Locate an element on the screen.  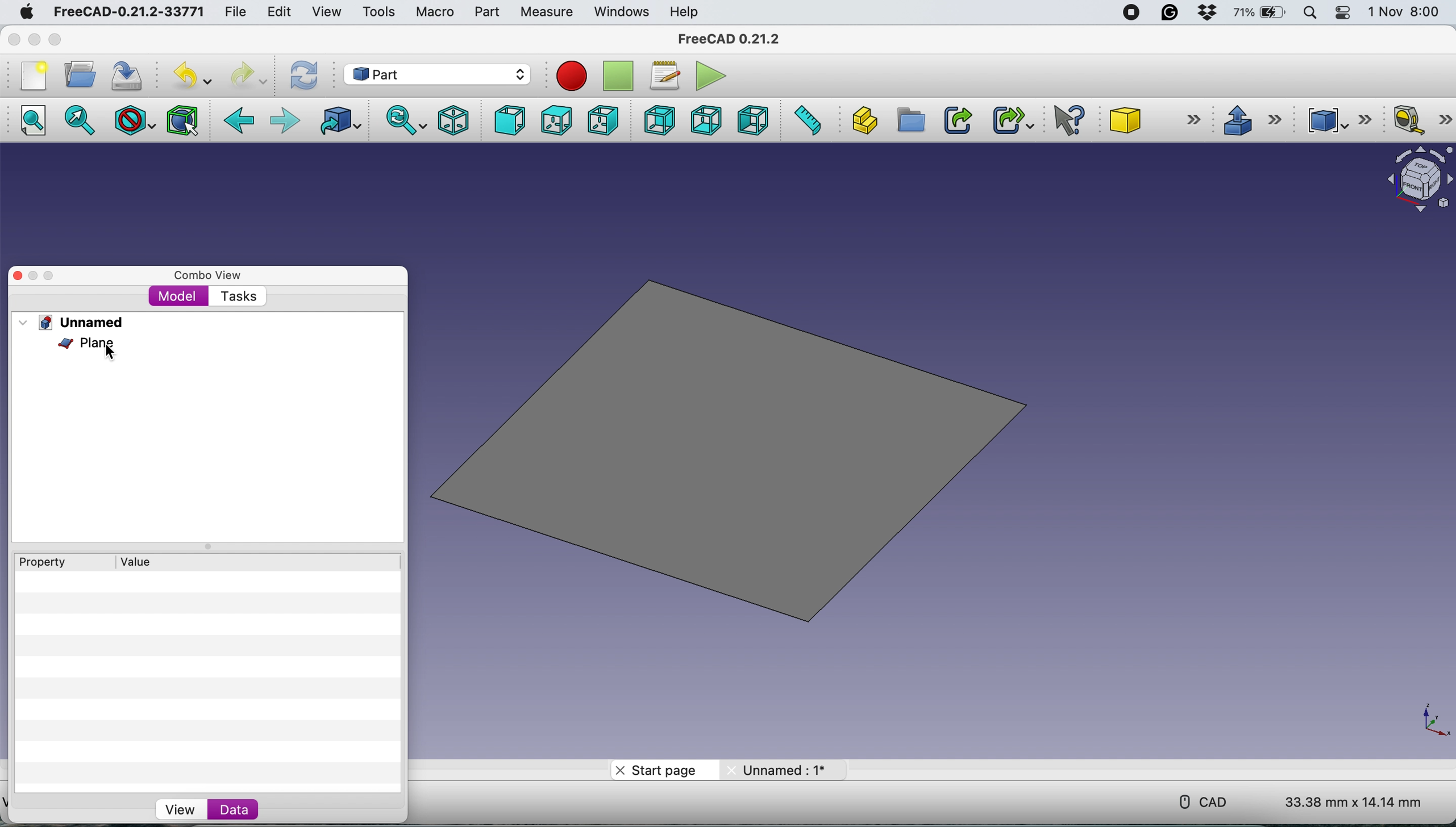
control center is located at coordinates (1346, 14).